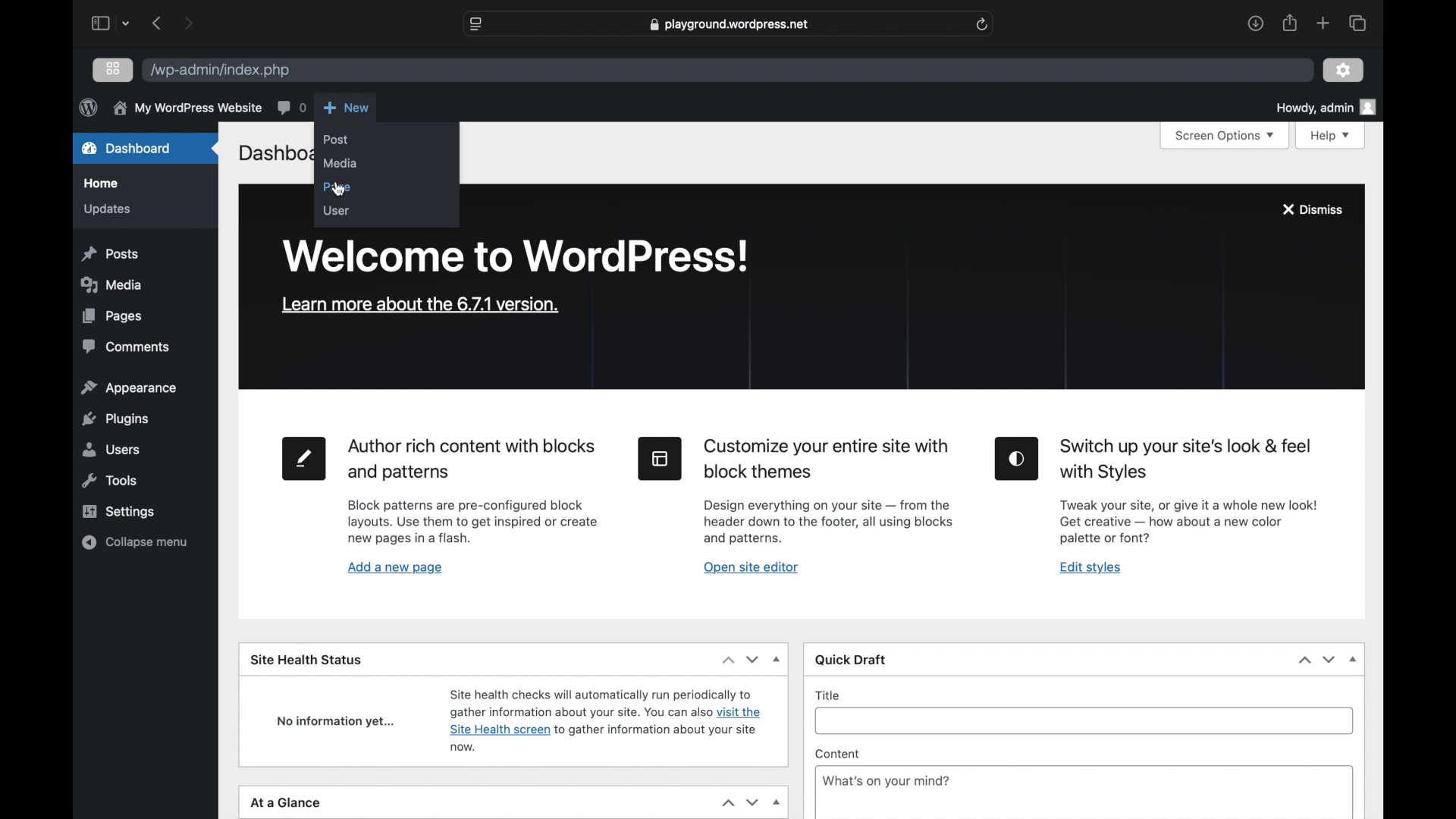 Image resolution: width=1456 pixels, height=819 pixels. Describe the element at coordinates (102, 184) in the screenshot. I see `home` at that location.